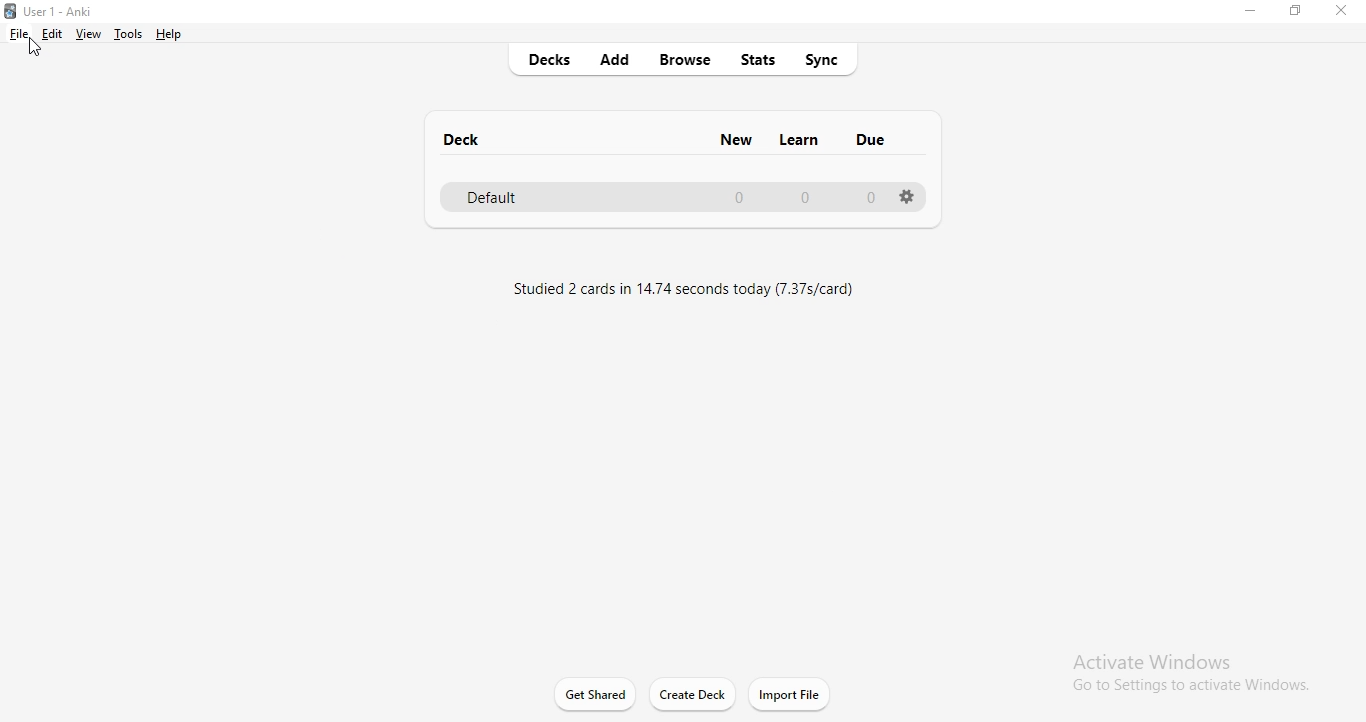  Describe the element at coordinates (59, 8) in the screenshot. I see `Anki logo and title` at that location.